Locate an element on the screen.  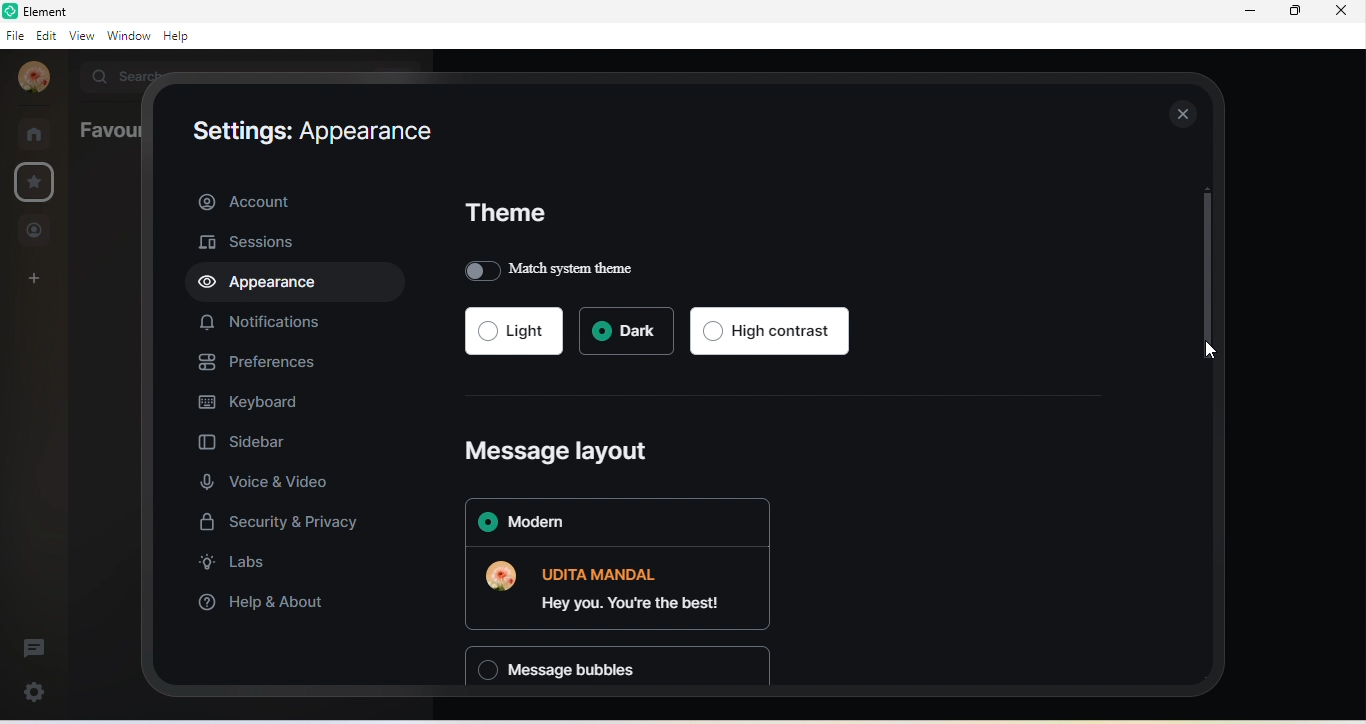
preferences is located at coordinates (257, 361).